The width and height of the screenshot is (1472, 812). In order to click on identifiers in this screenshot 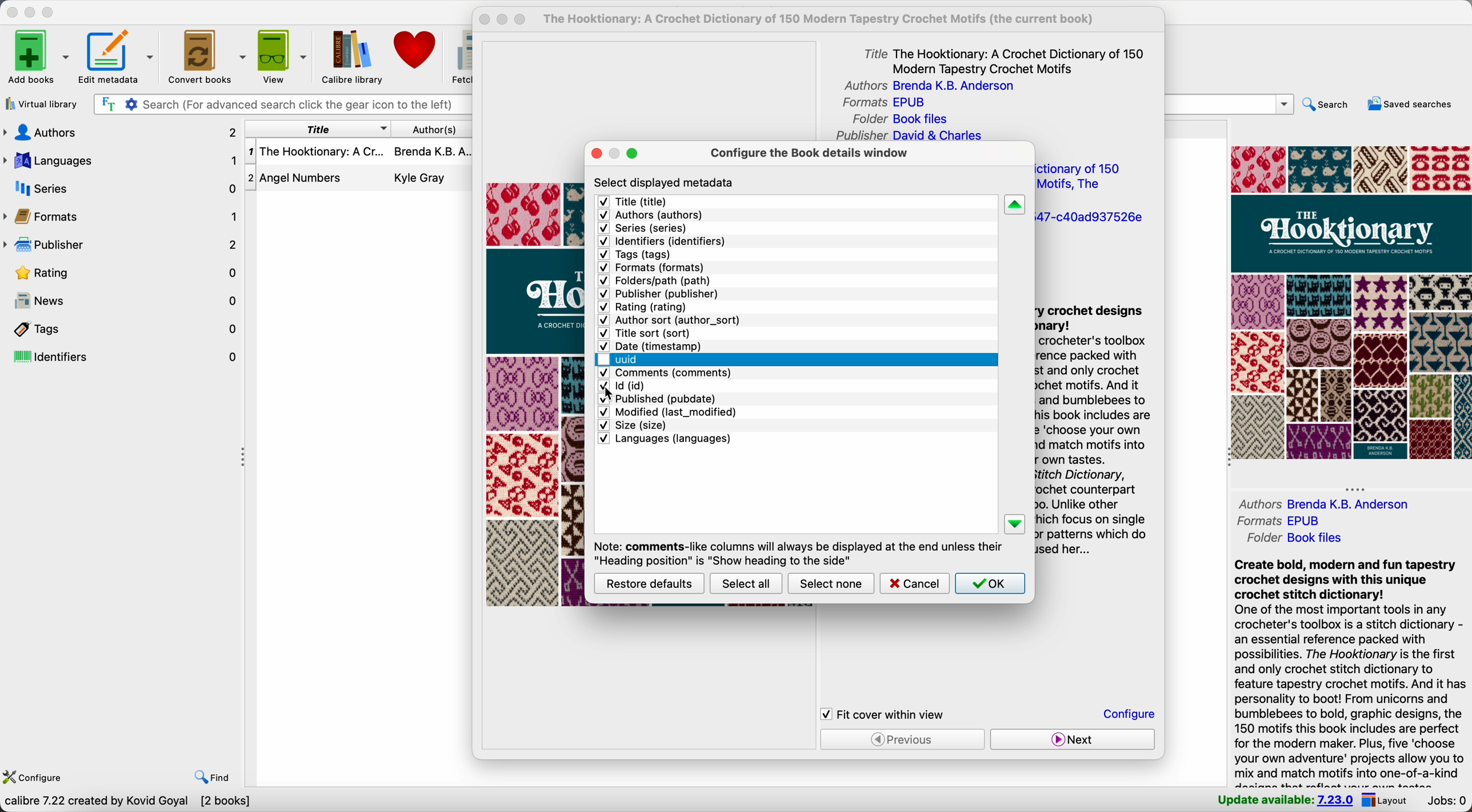, I will do `click(664, 241)`.